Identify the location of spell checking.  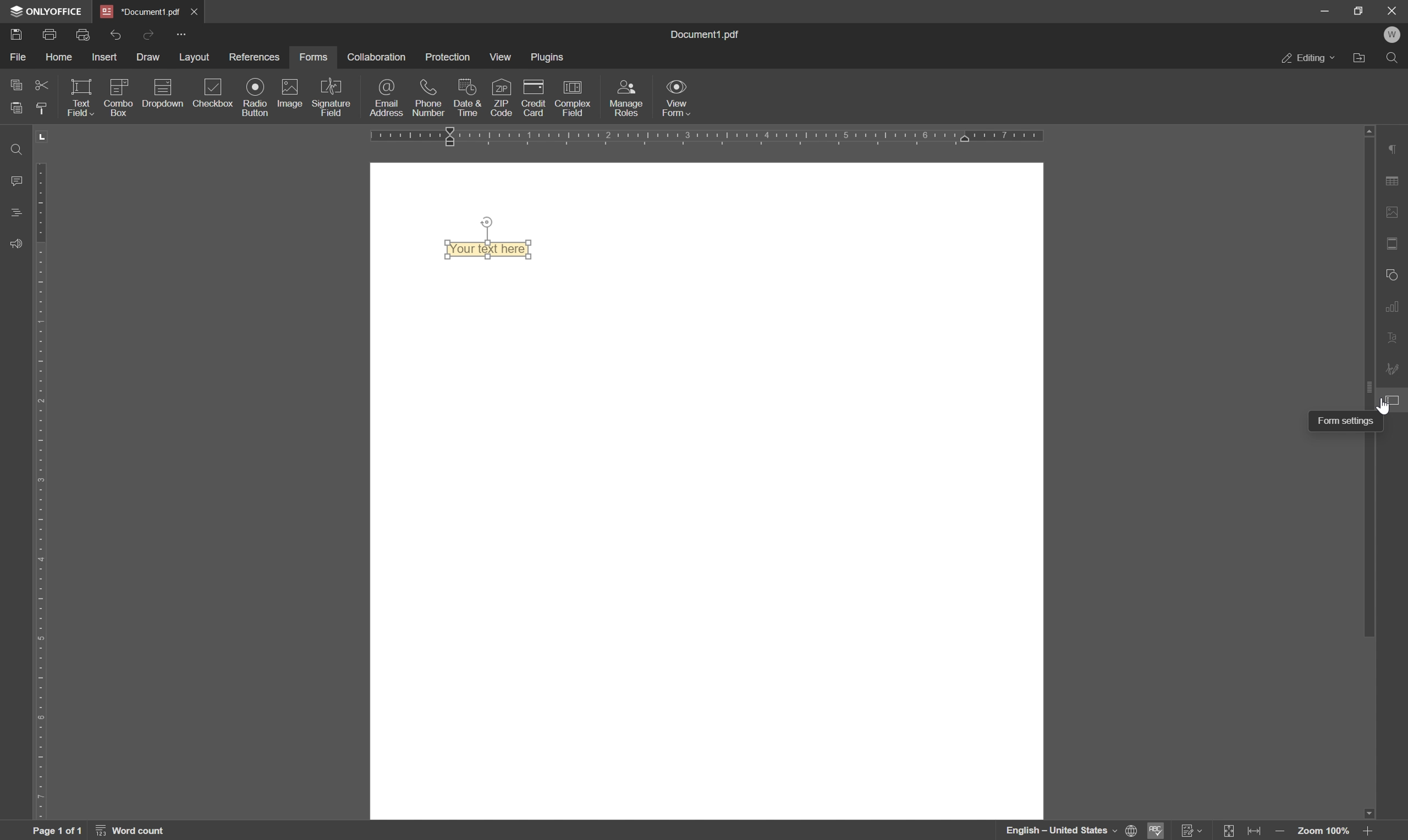
(1159, 831).